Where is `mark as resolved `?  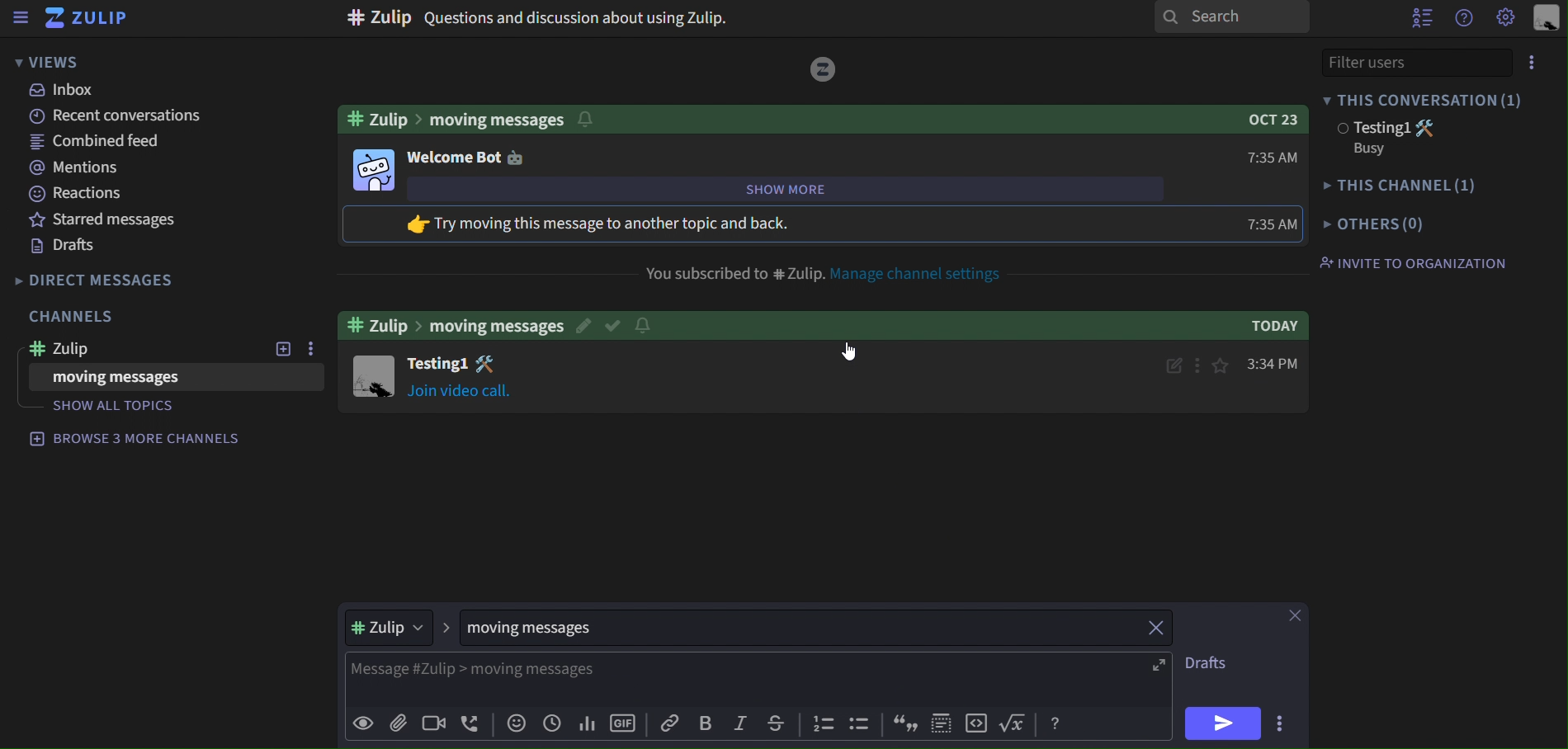
mark as resolved  is located at coordinates (616, 323).